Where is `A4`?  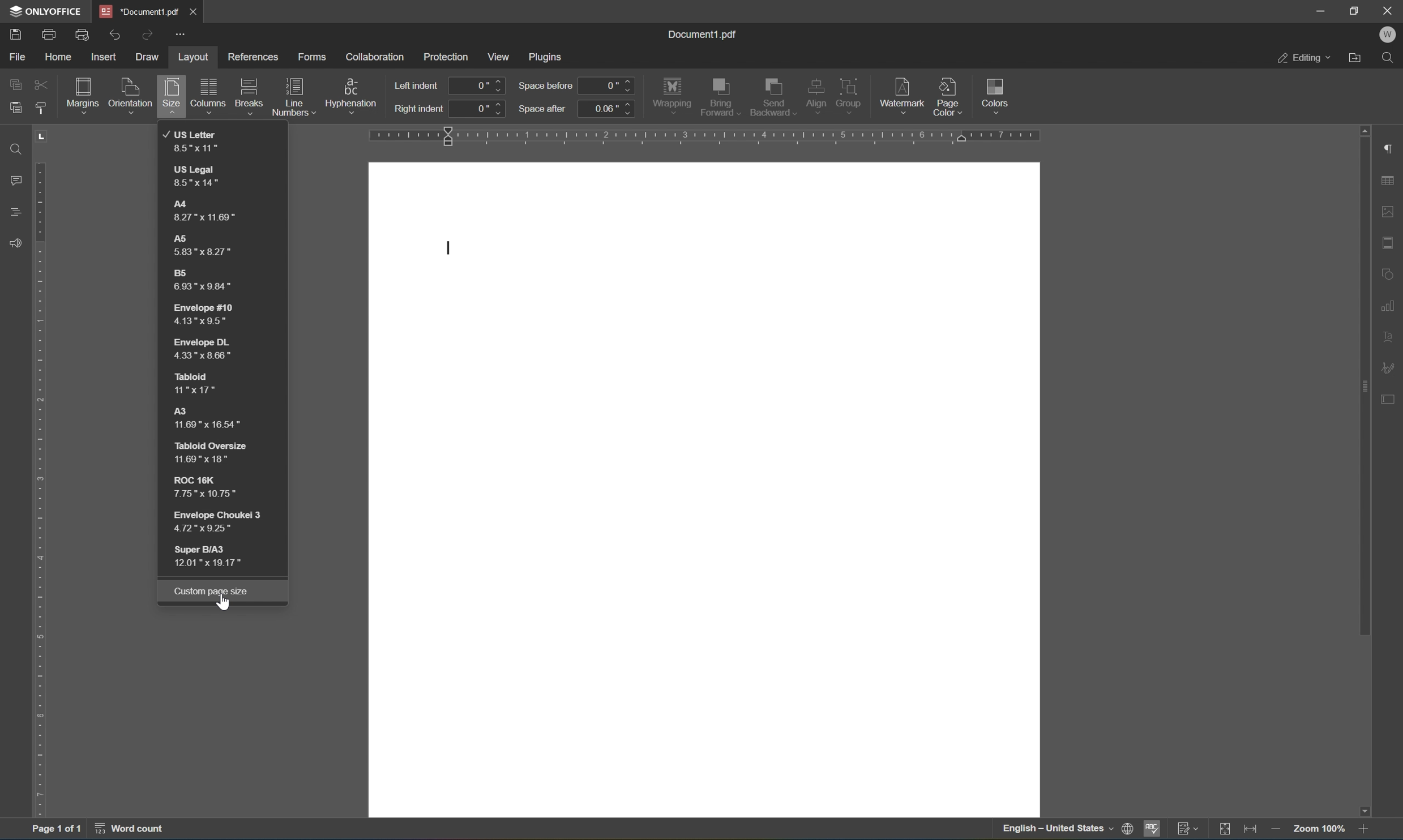 A4 is located at coordinates (202, 212).